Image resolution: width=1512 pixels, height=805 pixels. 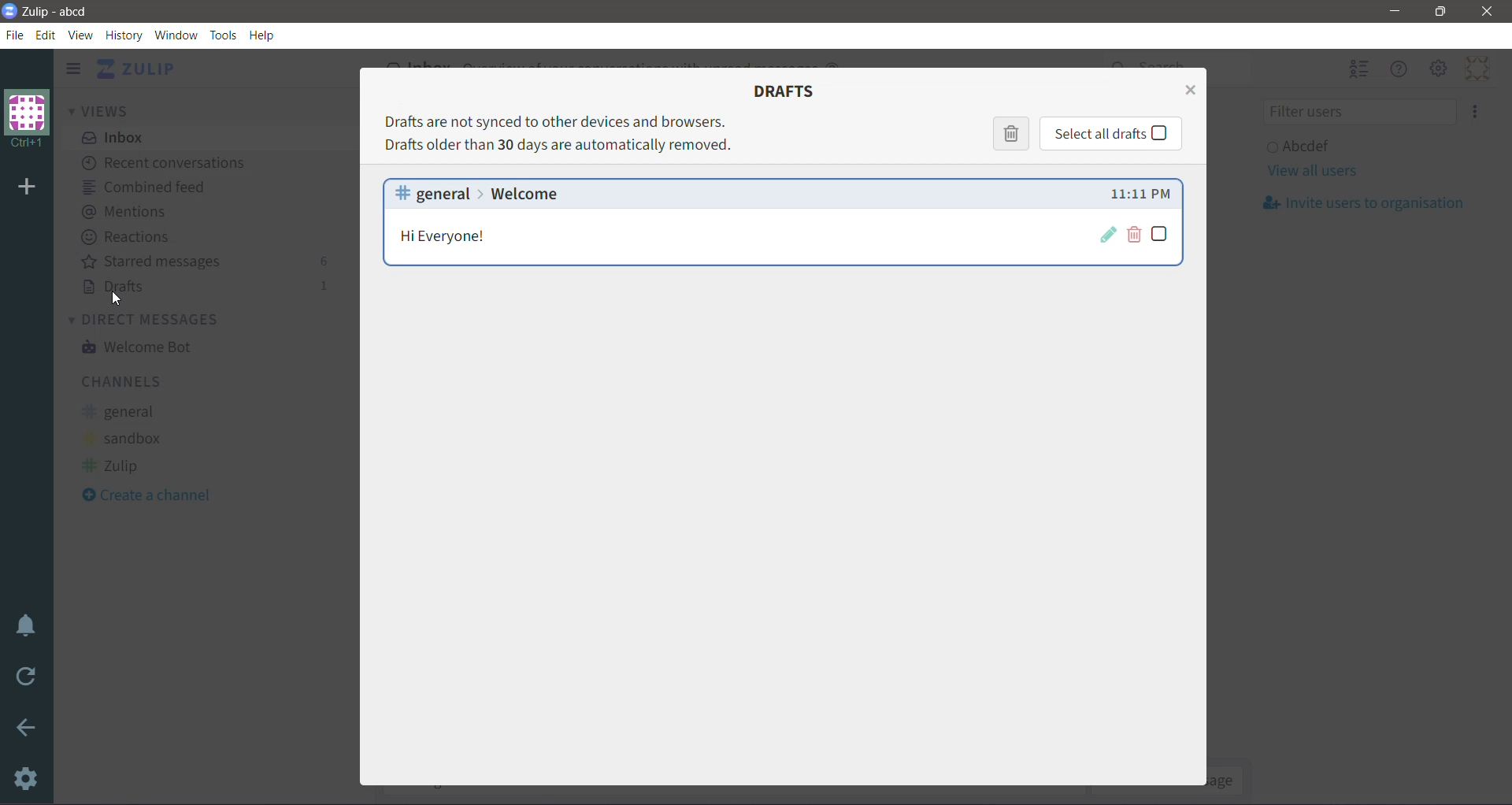 I want to click on File, so click(x=15, y=35).